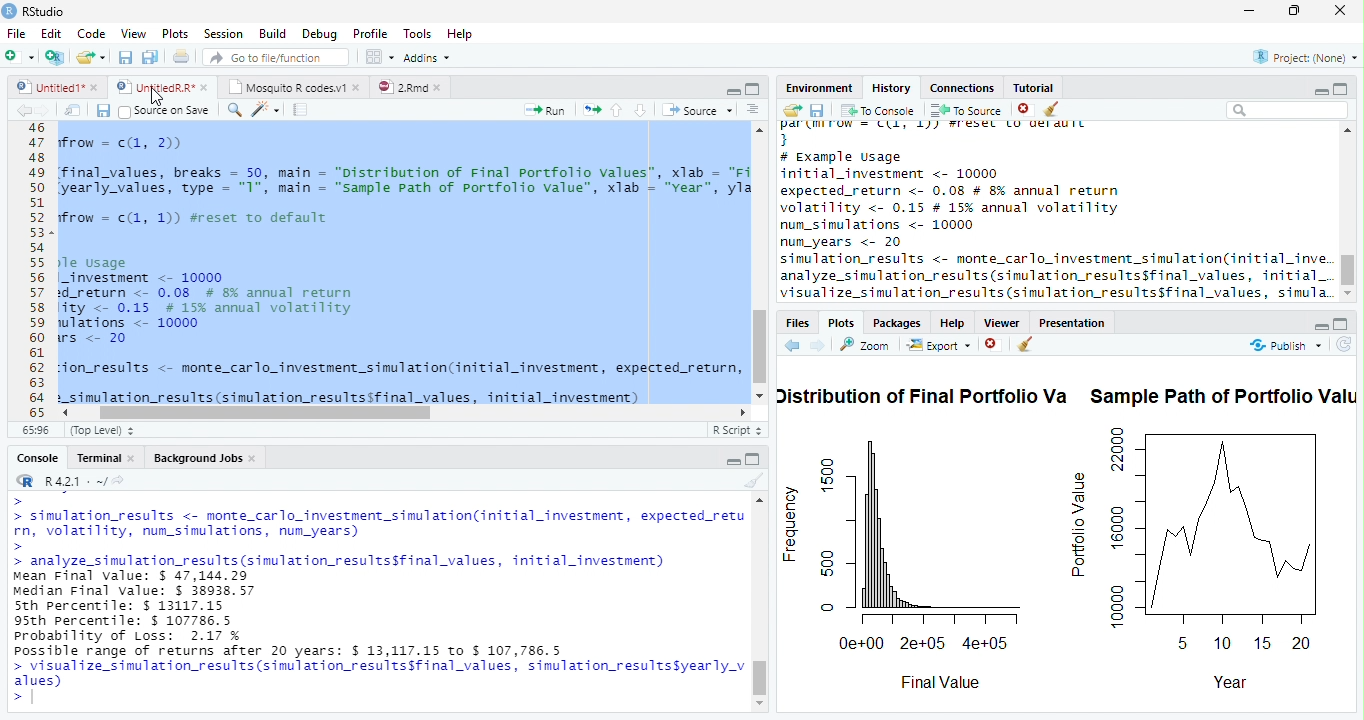 The width and height of the screenshot is (1364, 720). What do you see at coordinates (379, 57) in the screenshot?
I see `Workspace Panes` at bounding box center [379, 57].